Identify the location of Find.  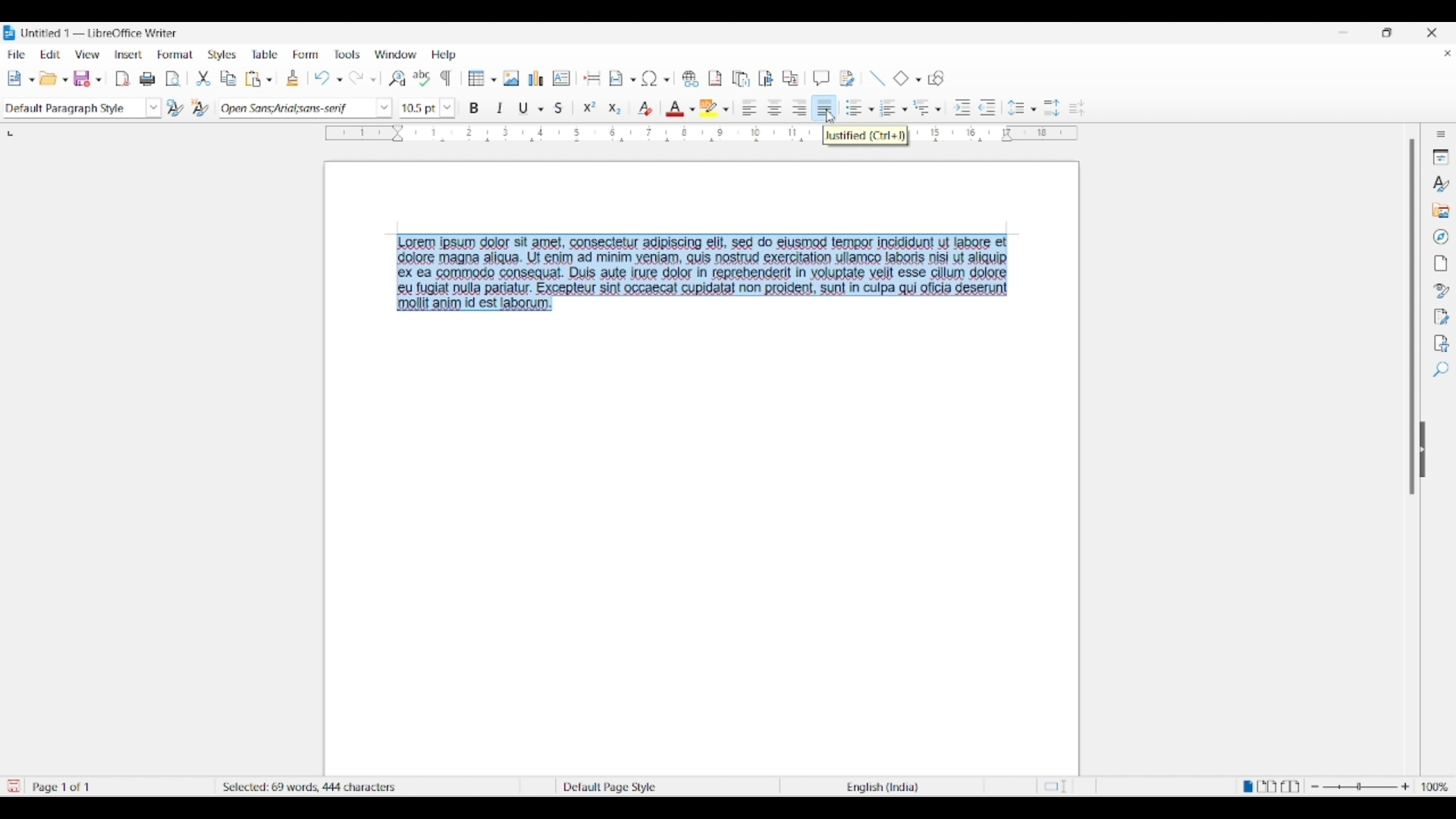
(1442, 369).